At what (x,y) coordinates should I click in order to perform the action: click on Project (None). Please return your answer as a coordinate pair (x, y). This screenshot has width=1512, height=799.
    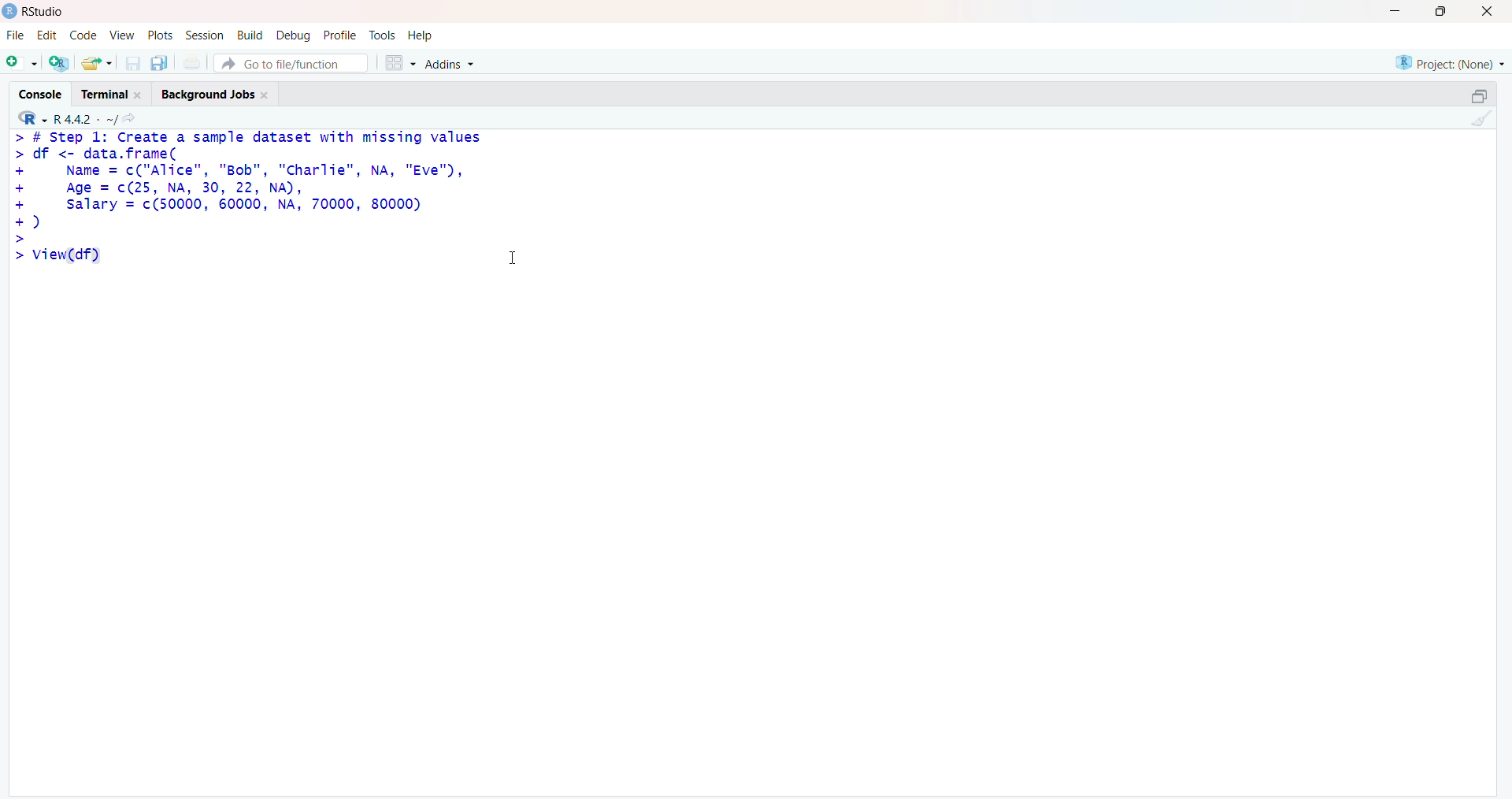
    Looking at the image, I should click on (1449, 62).